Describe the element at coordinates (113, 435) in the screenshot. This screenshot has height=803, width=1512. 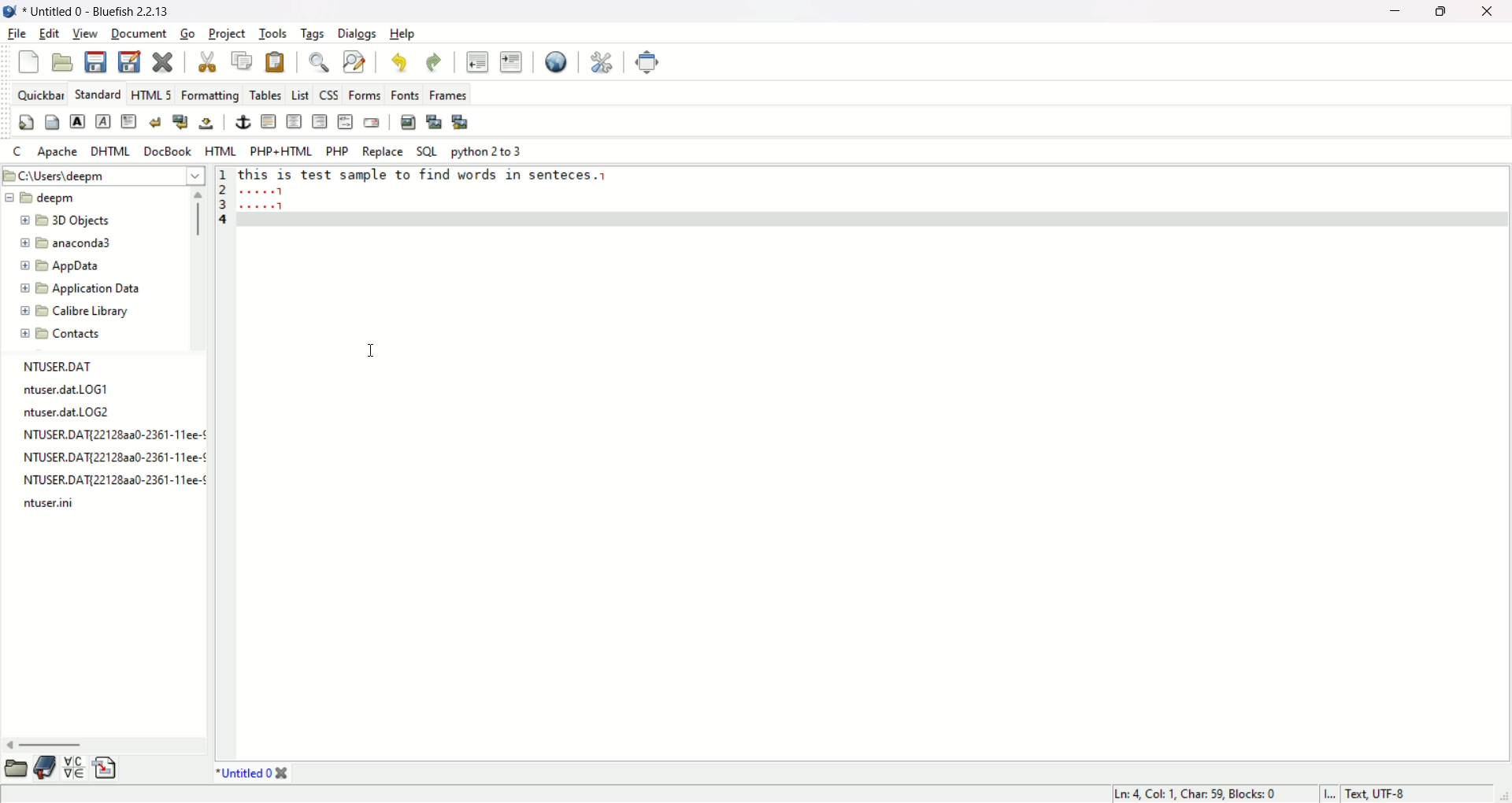
I see `NTUSER.DAT{221283a0-2361-11ee-` at that location.